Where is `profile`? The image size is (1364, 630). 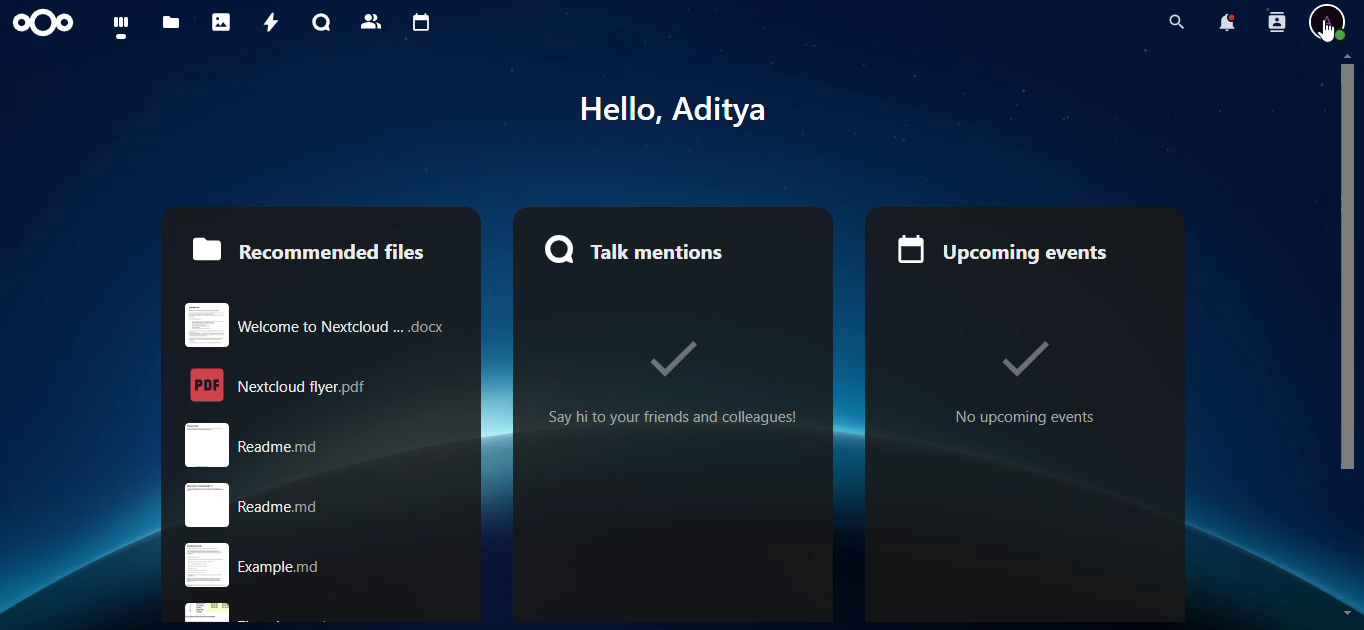
profile is located at coordinates (1329, 23).